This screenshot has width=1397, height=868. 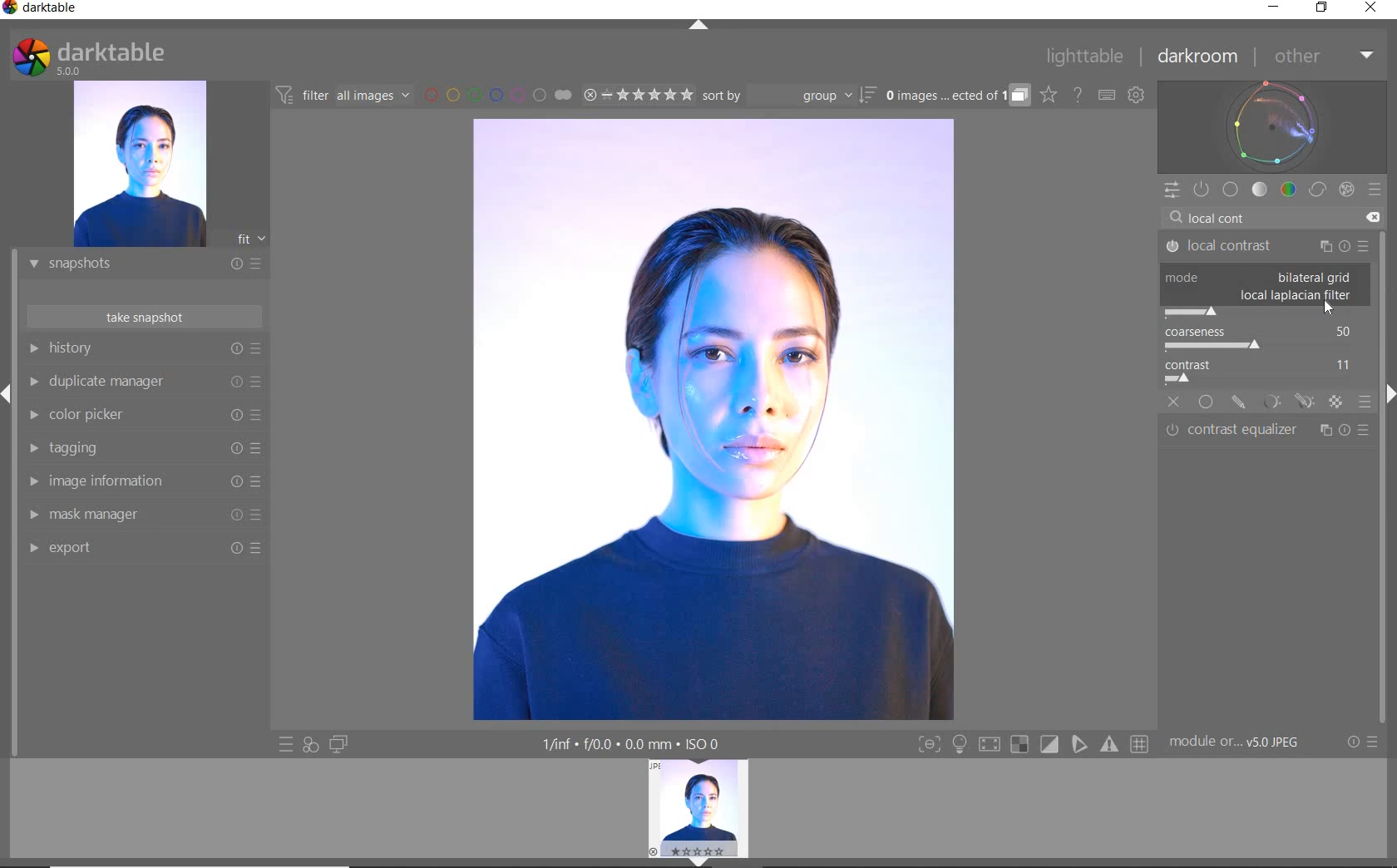 What do you see at coordinates (1365, 402) in the screenshot?
I see `BLENDING OPTIONS` at bounding box center [1365, 402].